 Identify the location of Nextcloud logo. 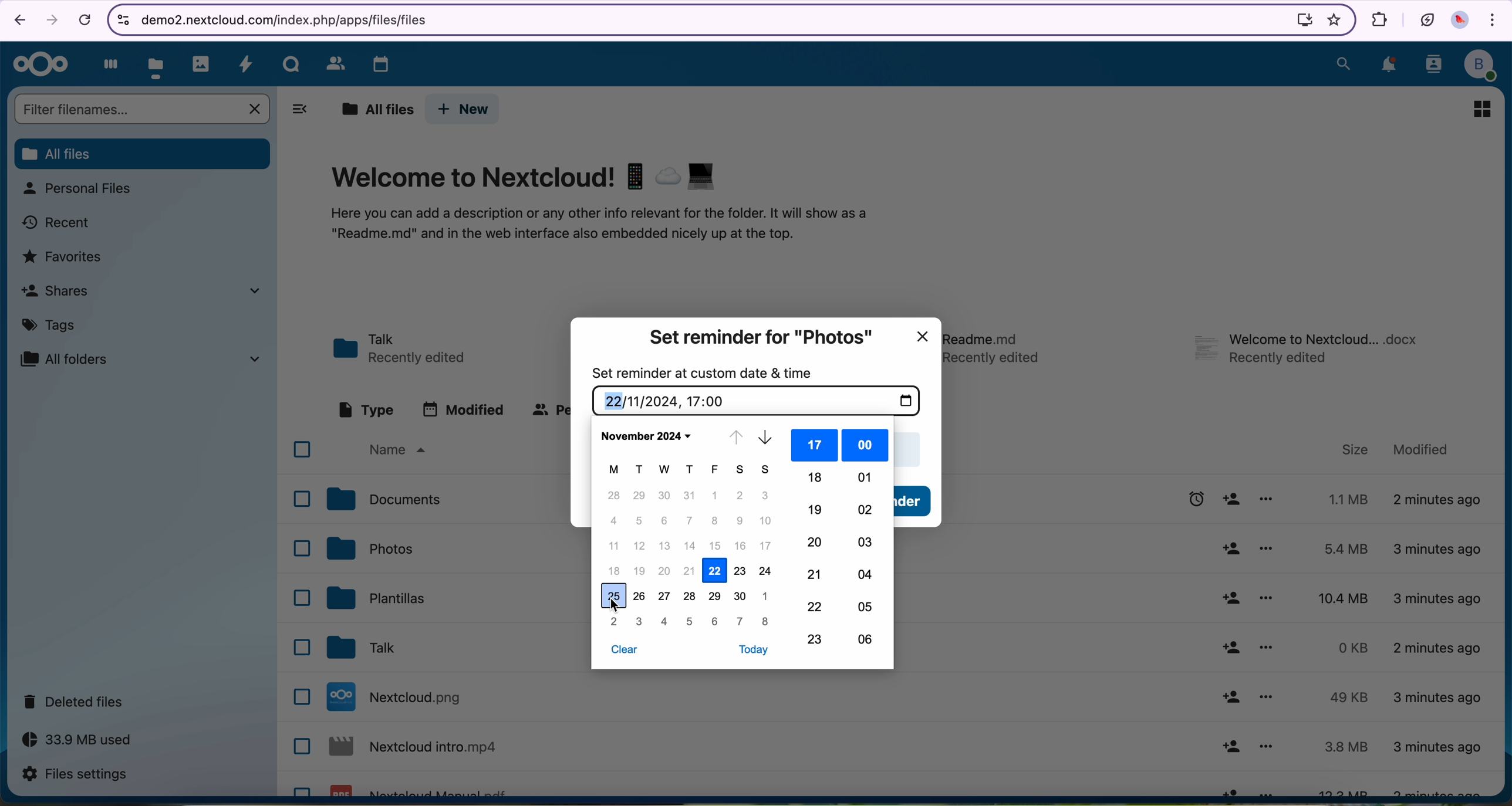
(39, 65).